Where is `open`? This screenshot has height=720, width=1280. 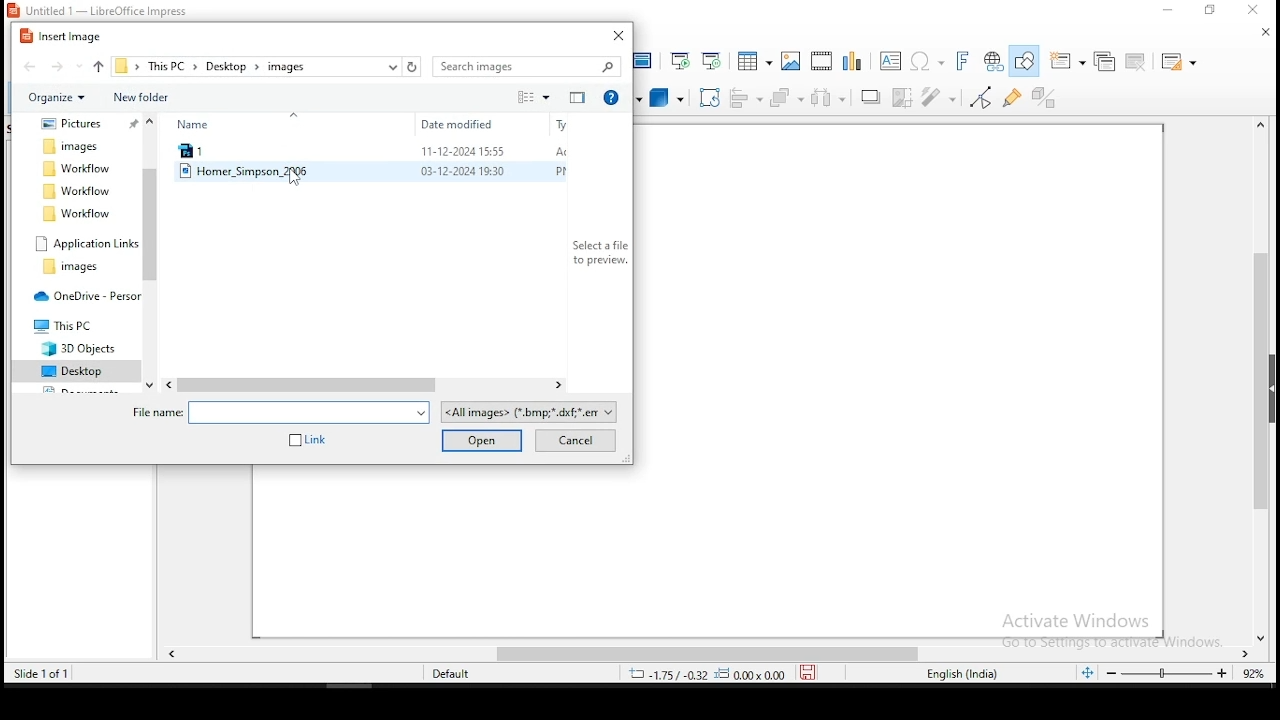
open is located at coordinates (484, 441).